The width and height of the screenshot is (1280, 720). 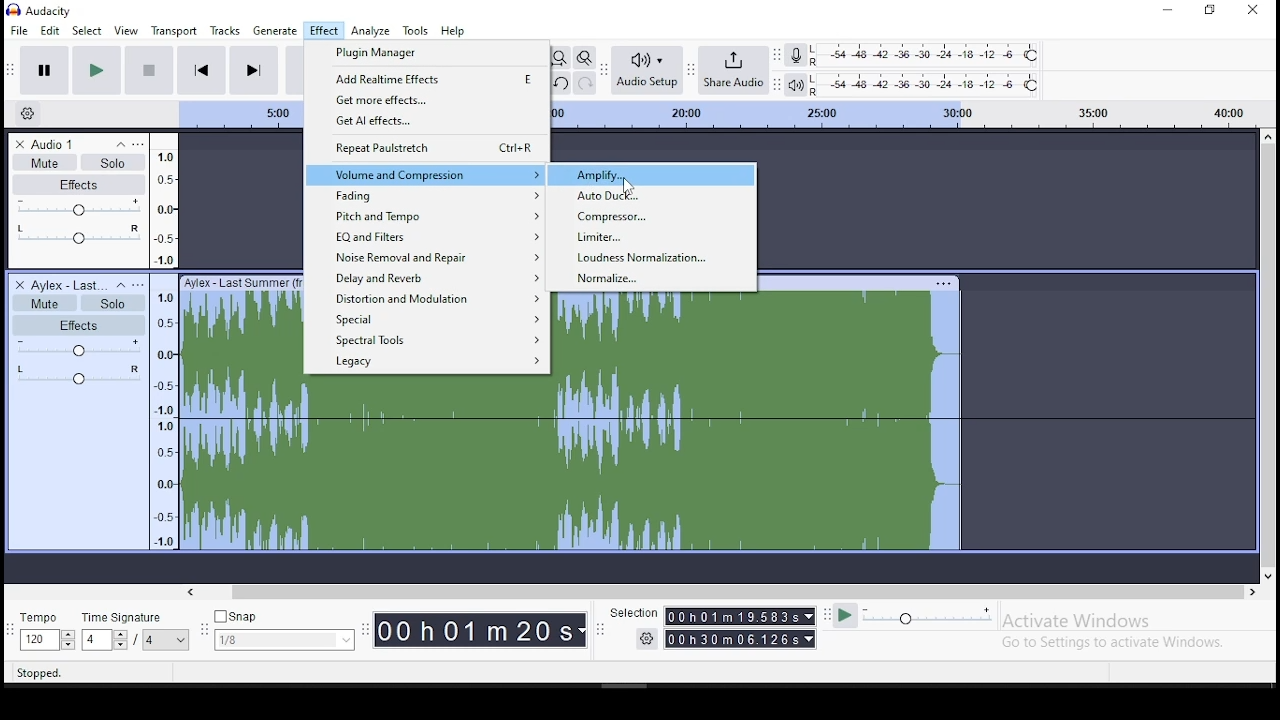 What do you see at coordinates (238, 116) in the screenshot?
I see `track's timing` at bounding box center [238, 116].